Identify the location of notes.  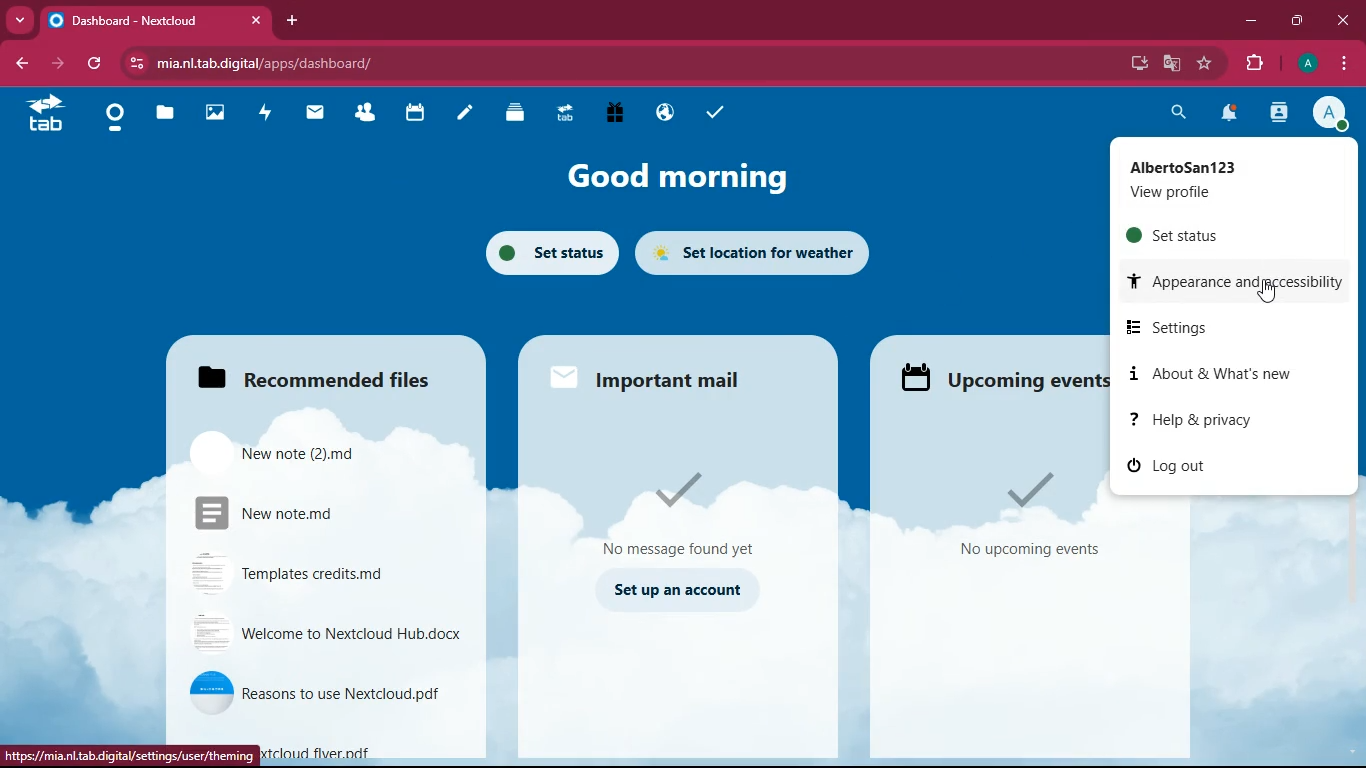
(469, 117).